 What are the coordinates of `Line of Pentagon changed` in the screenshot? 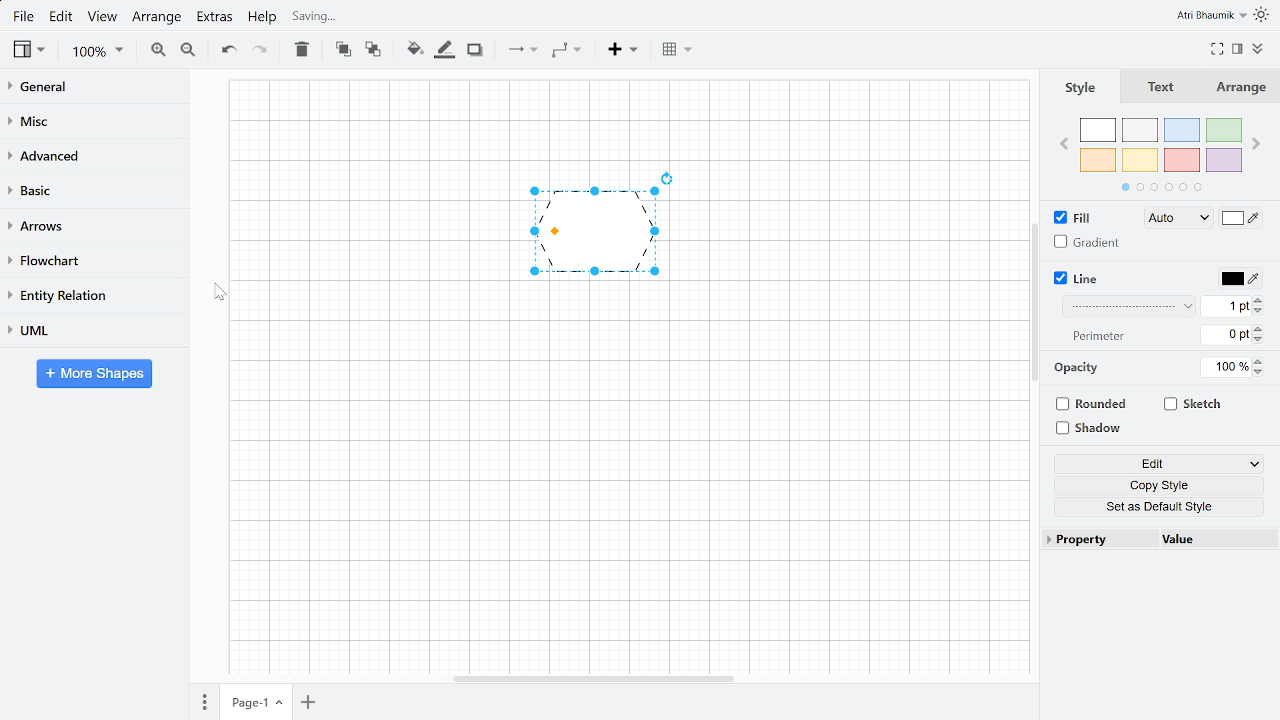 It's located at (595, 232).